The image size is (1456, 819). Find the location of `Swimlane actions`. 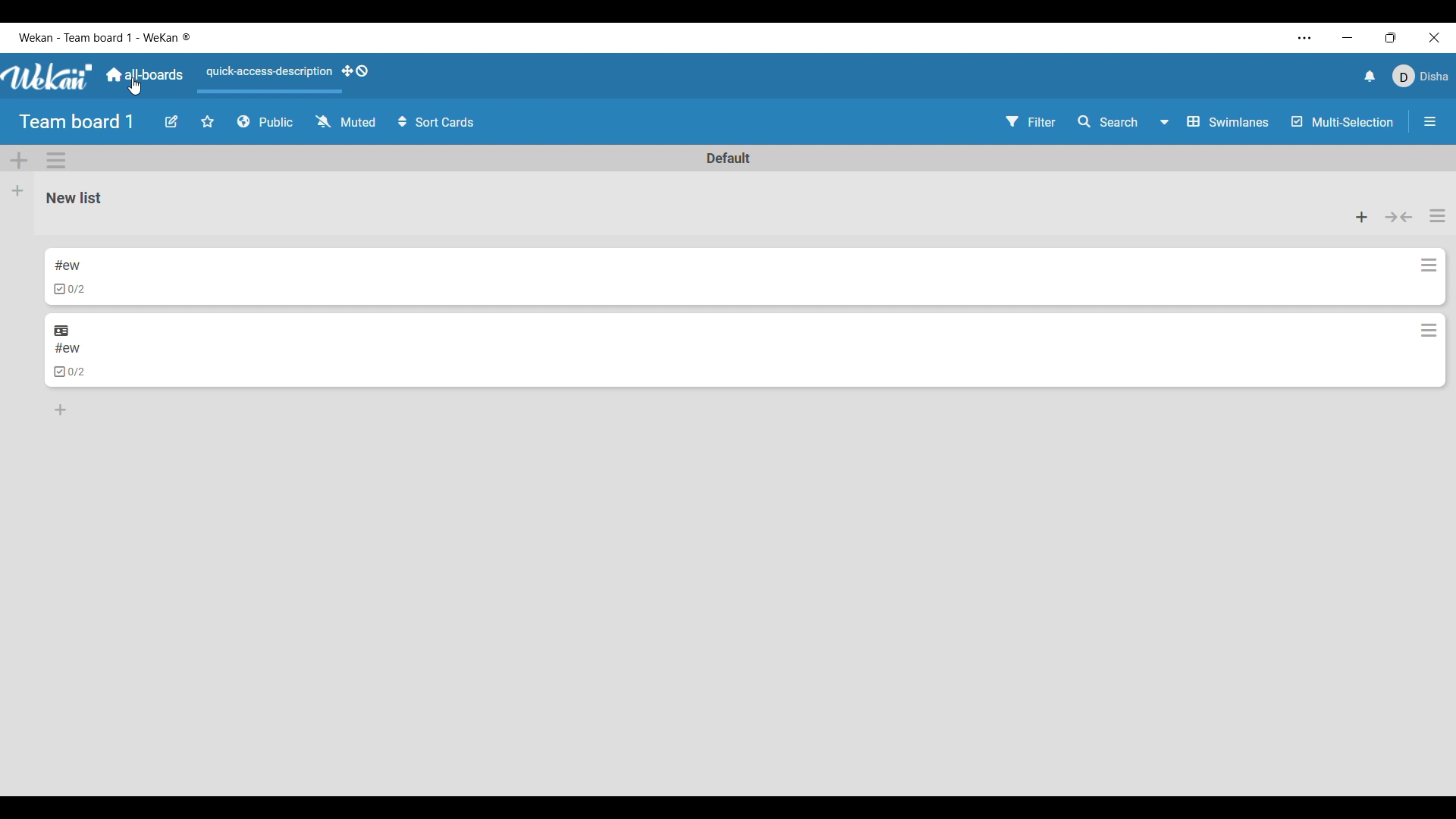

Swimlane actions is located at coordinates (57, 159).